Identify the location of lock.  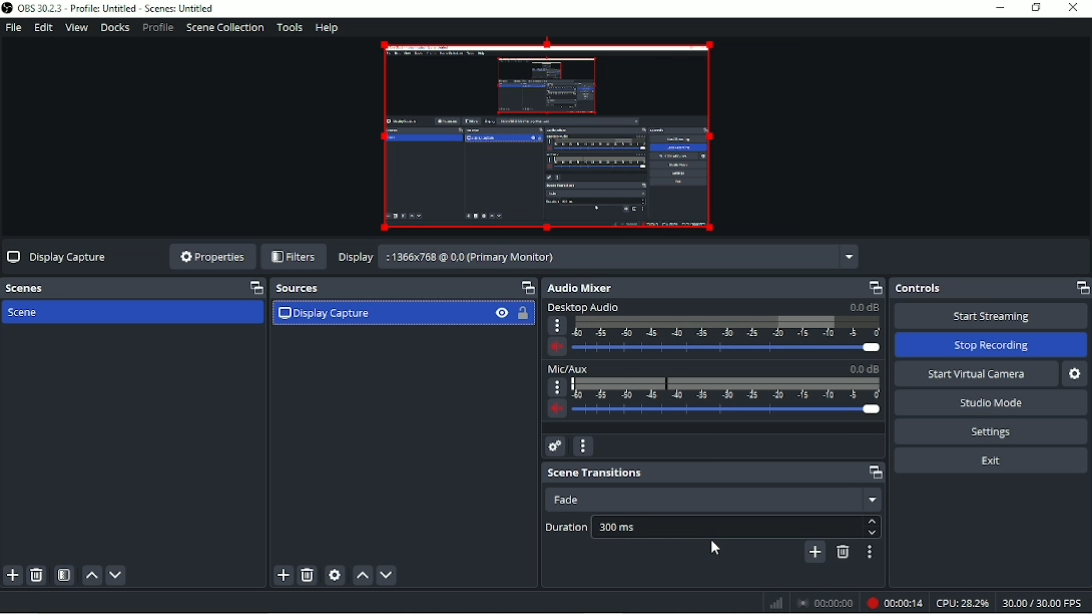
(528, 314).